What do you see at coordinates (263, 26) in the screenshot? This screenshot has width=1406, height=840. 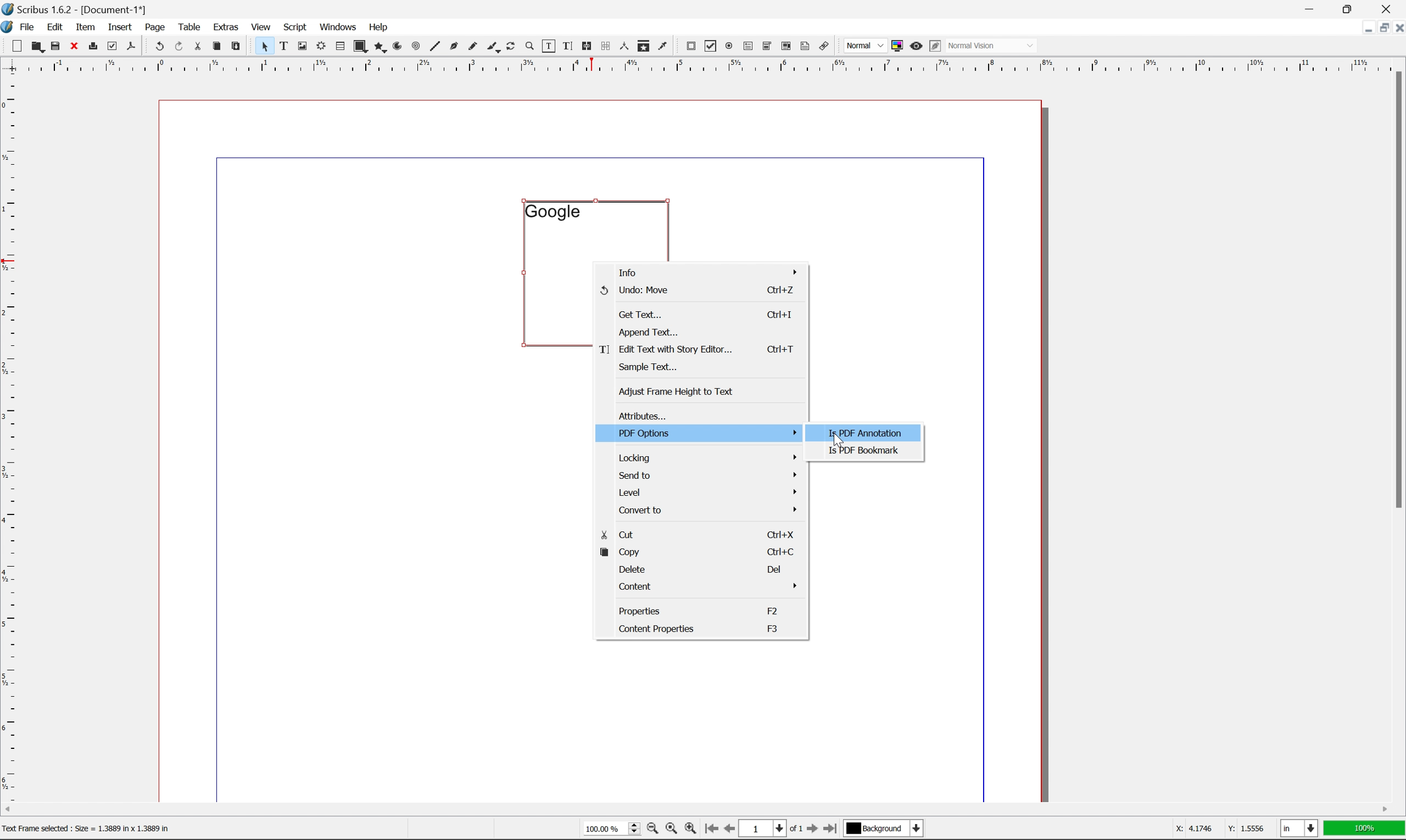 I see `view` at bounding box center [263, 26].